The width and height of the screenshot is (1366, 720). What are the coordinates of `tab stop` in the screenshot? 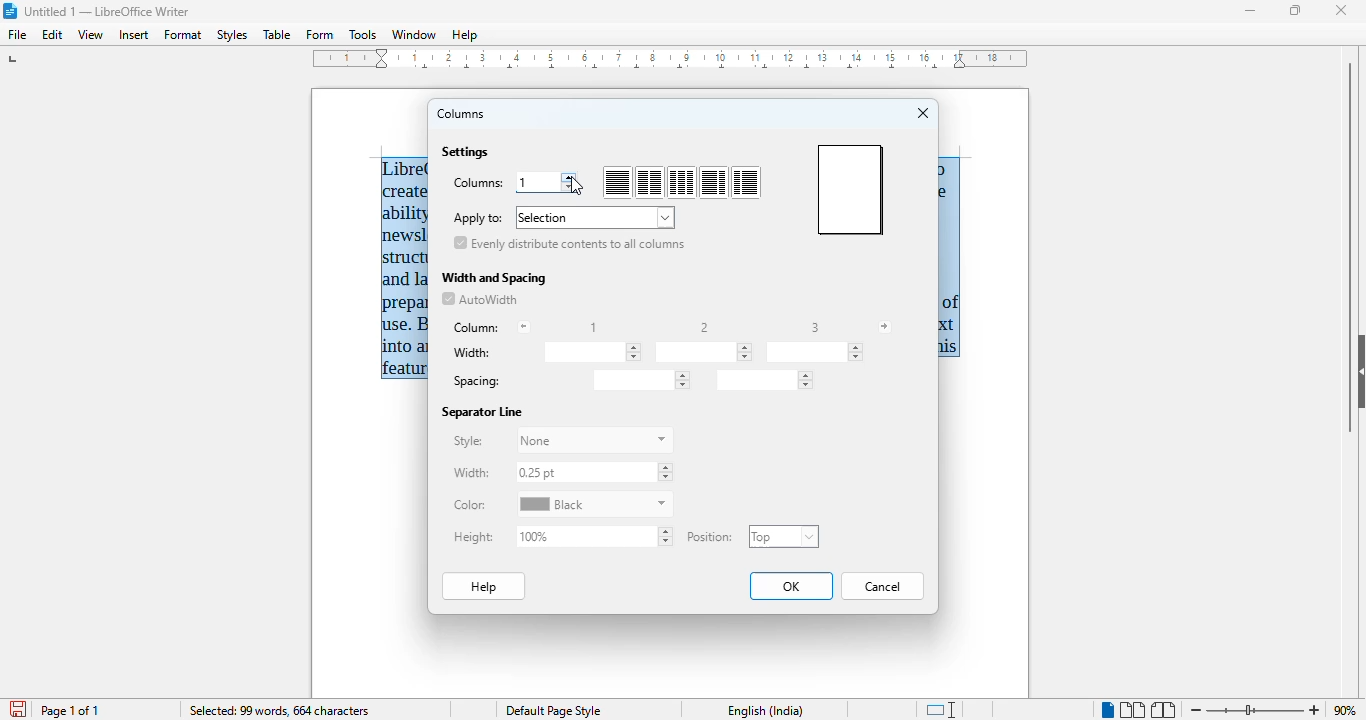 It's located at (27, 59).